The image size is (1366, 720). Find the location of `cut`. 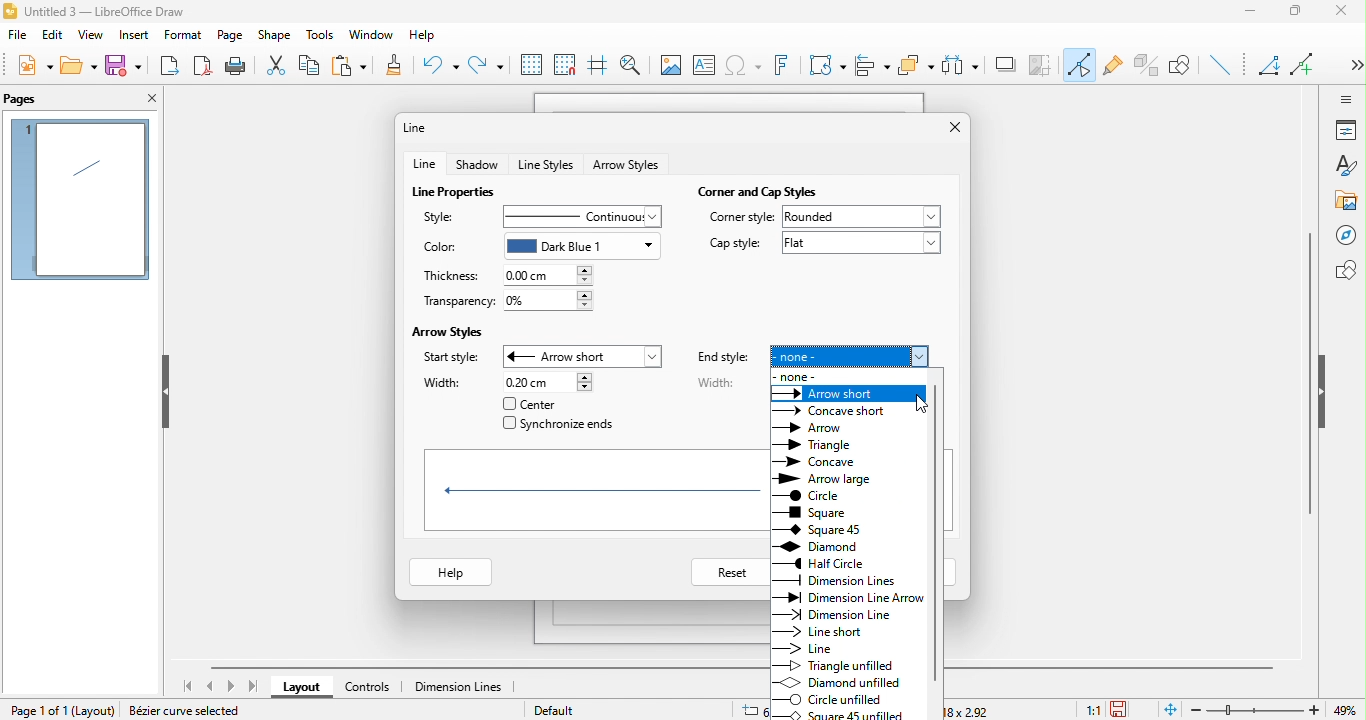

cut is located at coordinates (276, 66).